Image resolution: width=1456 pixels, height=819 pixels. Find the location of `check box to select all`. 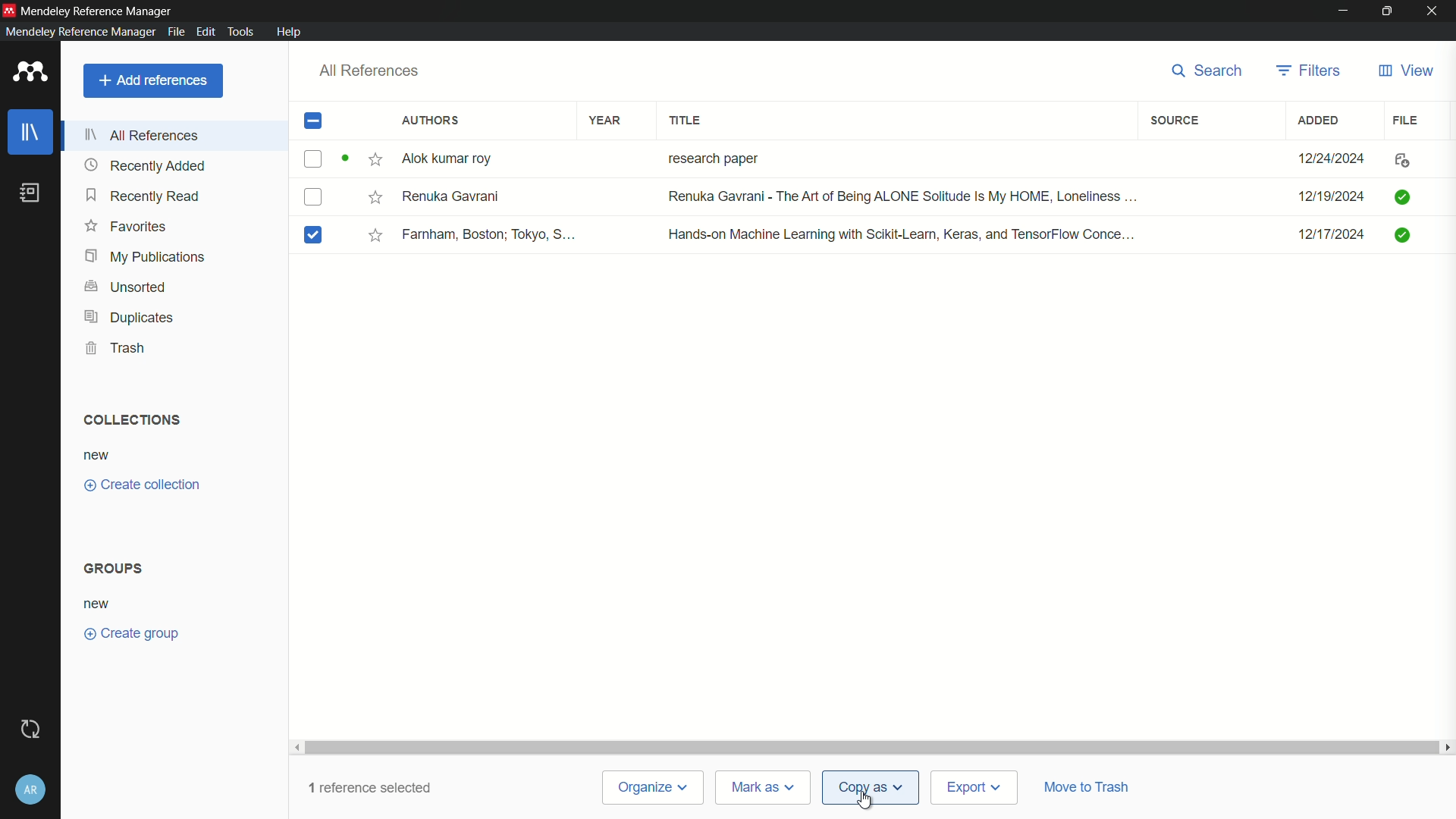

check box to select all is located at coordinates (314, 121).